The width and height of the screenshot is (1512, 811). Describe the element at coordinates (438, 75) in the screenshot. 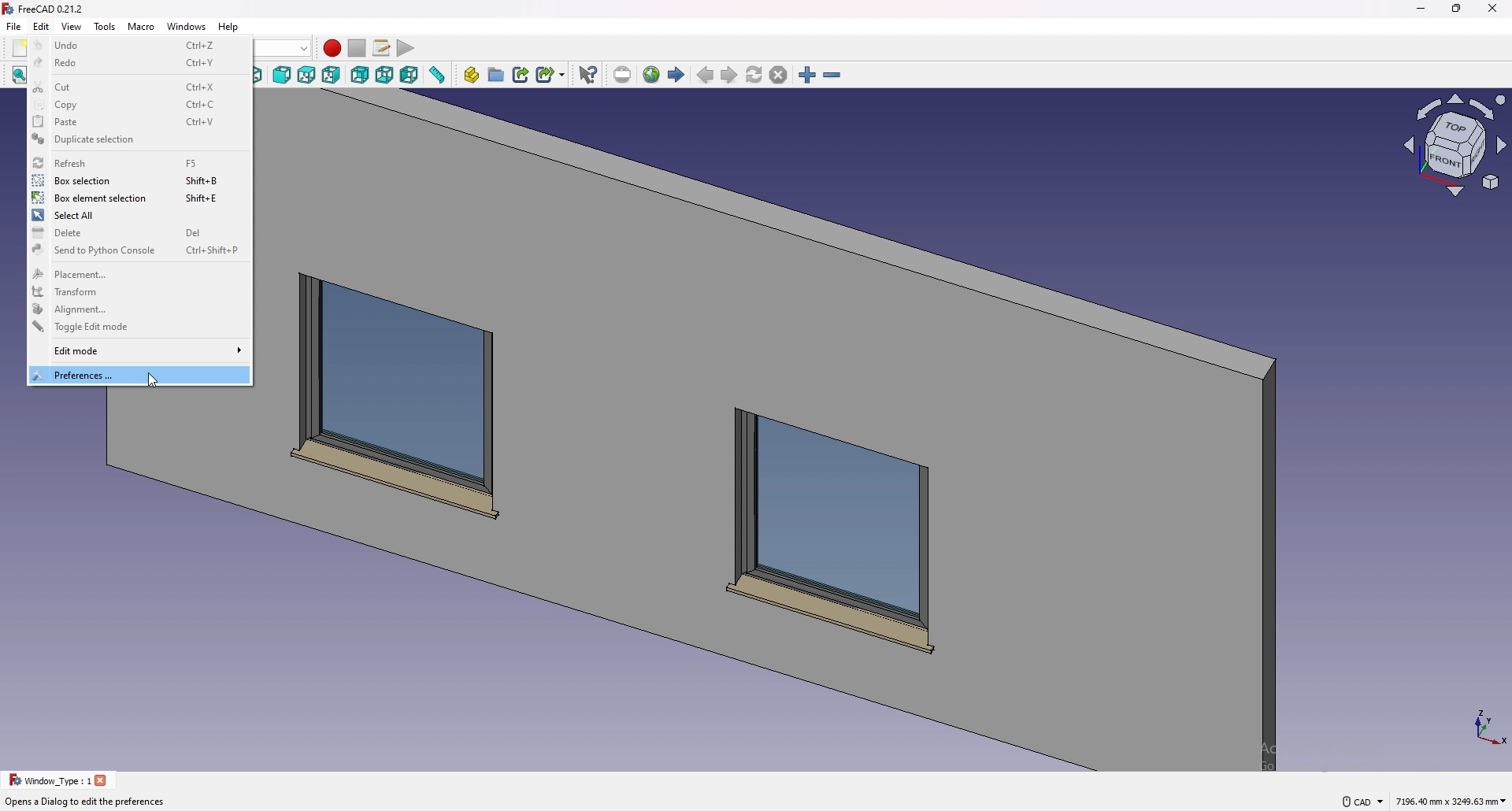

I see `measure distance` at that location.